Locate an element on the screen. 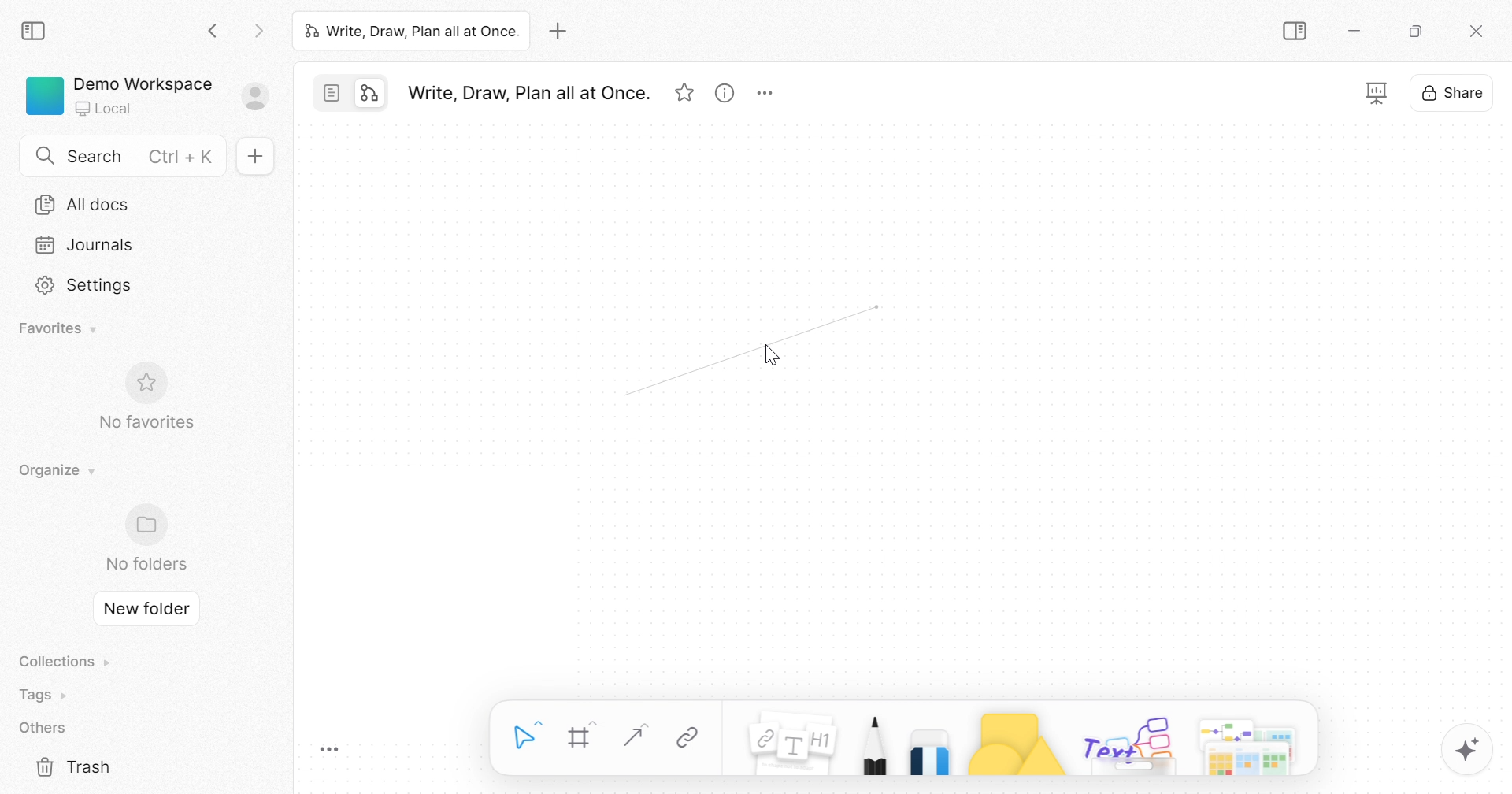 This screenshot has width=1512, height=794. Search is located at coordinates (94, 156).